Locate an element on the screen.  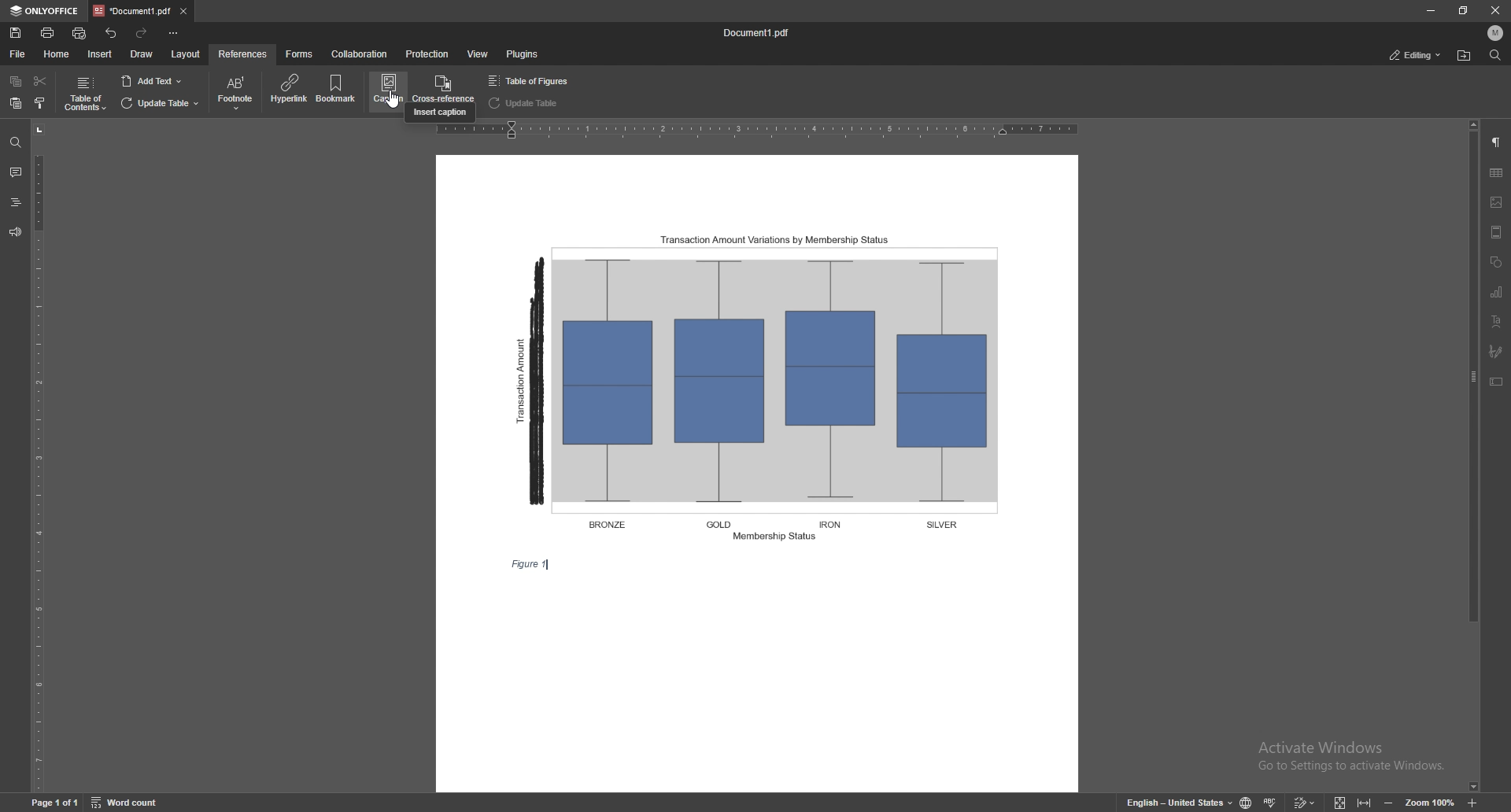
scroll bar is located at coordinates (1471, 456).